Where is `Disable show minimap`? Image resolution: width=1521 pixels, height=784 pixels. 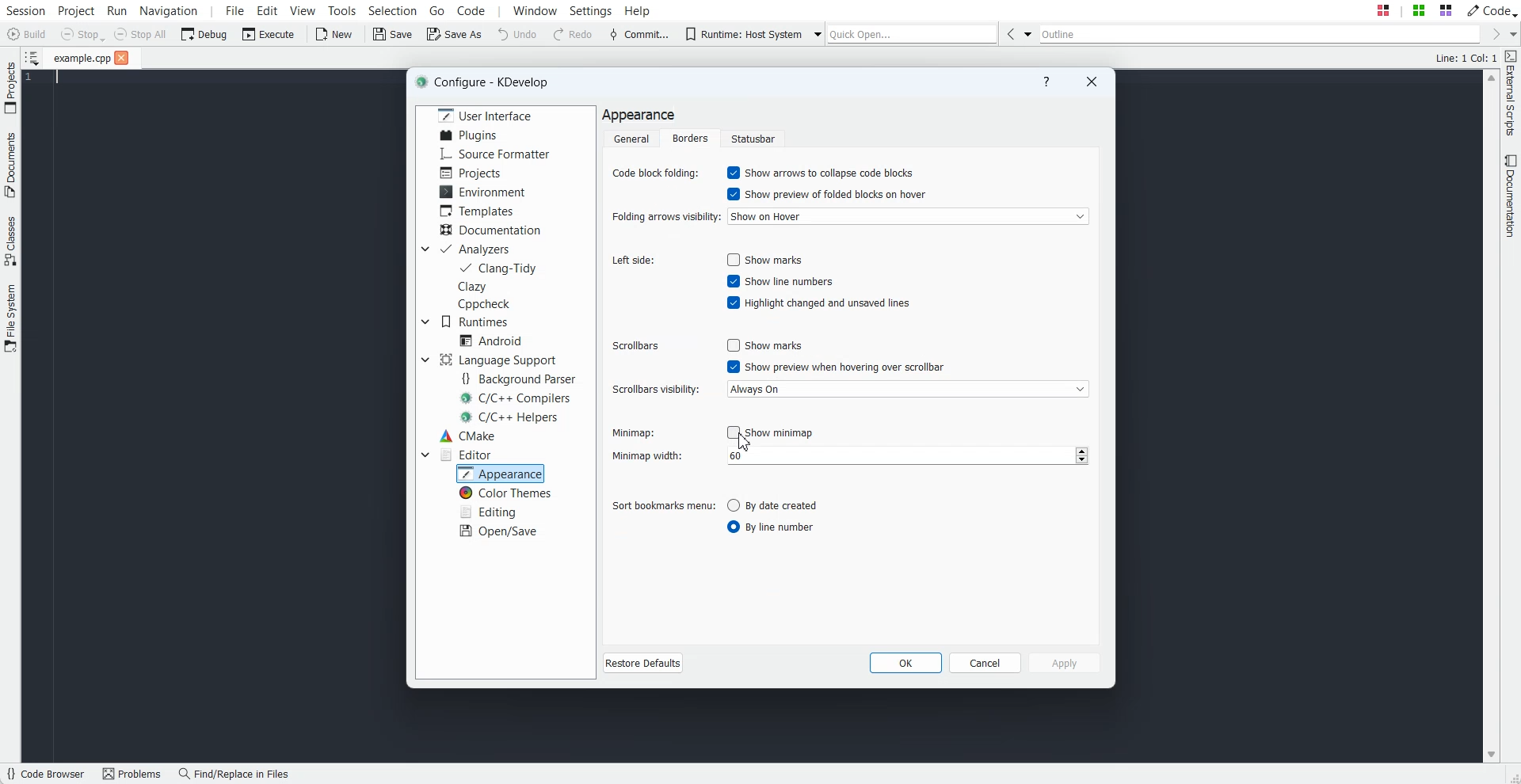
Disable show minimap is located at coordinates (770, 432).